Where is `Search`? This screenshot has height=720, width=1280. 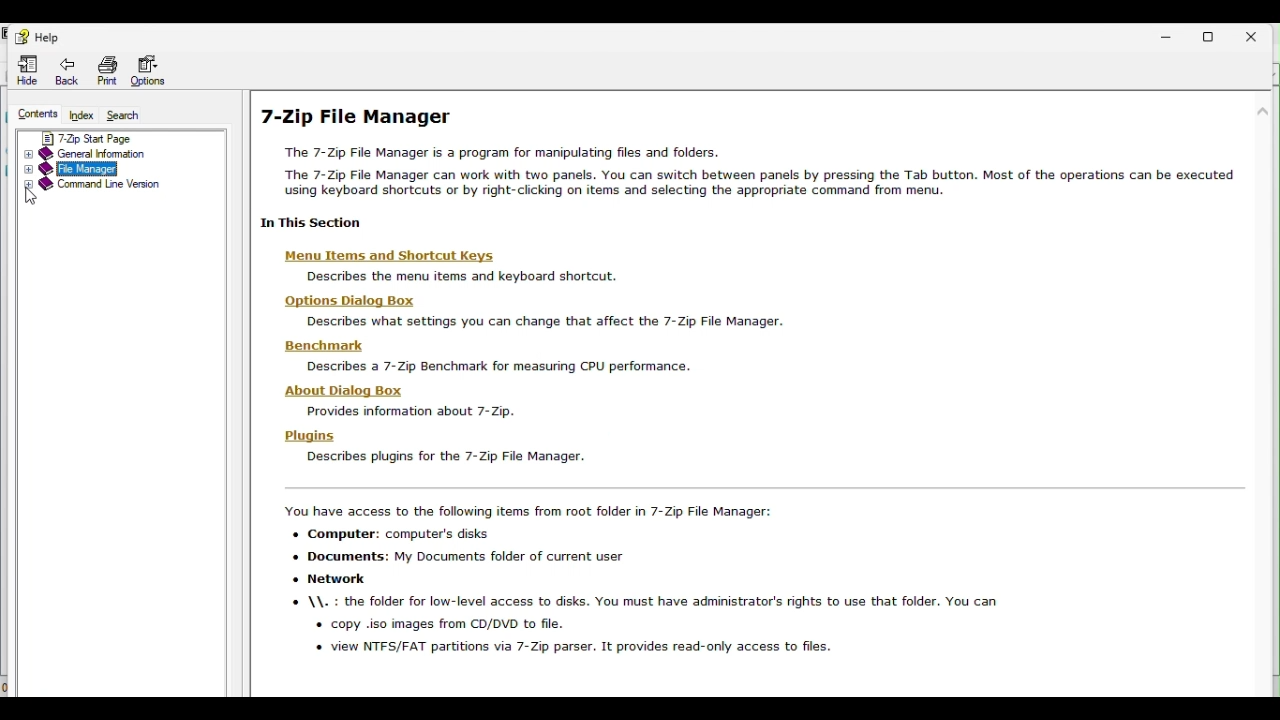
Search is located at coordinates (131, 113).